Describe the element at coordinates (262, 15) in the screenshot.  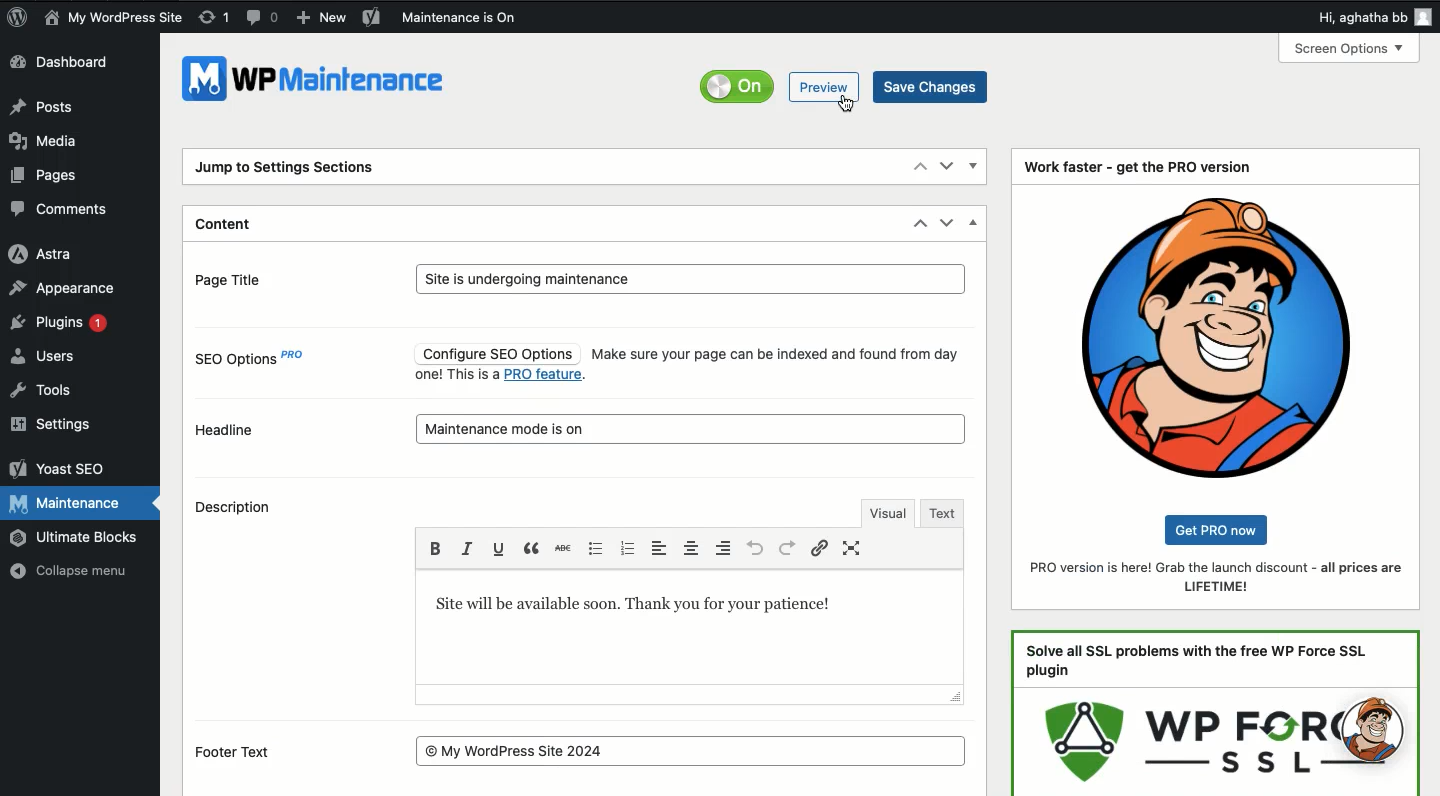
I see `Comment` at that location.